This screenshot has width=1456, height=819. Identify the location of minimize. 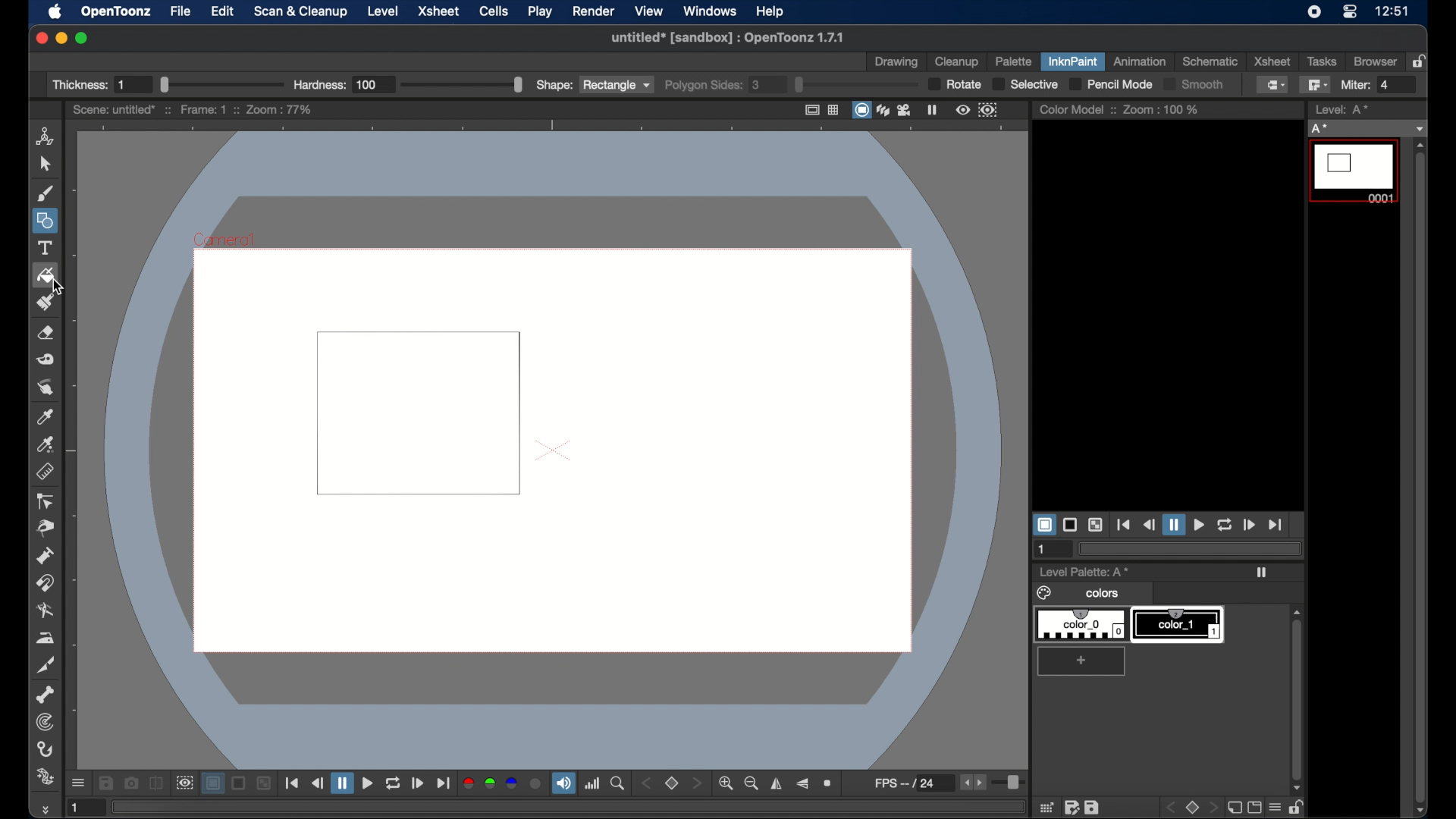
(61, 38).